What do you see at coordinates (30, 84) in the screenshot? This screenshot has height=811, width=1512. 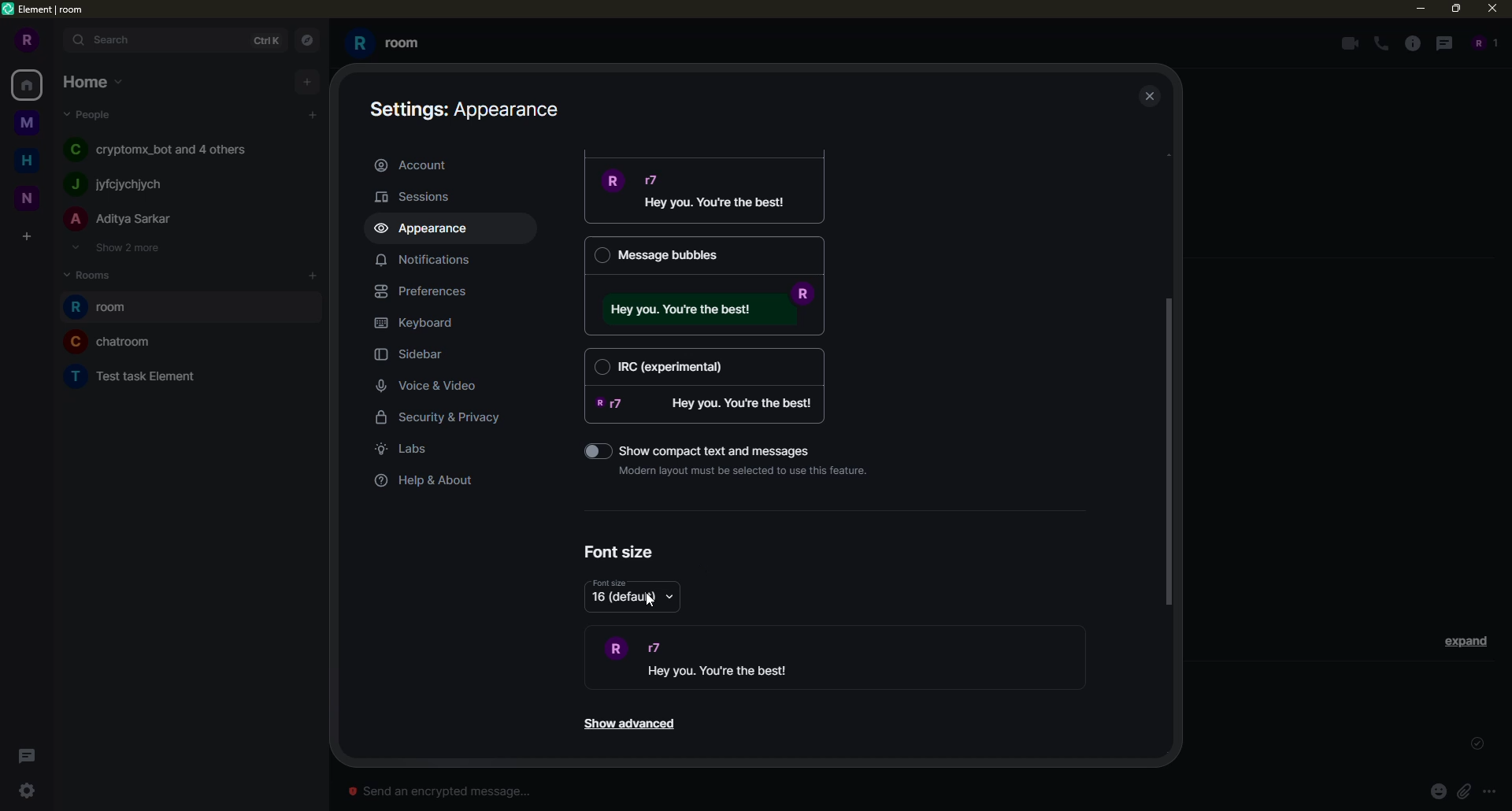 I see `home` at bounding box center [30, 84].